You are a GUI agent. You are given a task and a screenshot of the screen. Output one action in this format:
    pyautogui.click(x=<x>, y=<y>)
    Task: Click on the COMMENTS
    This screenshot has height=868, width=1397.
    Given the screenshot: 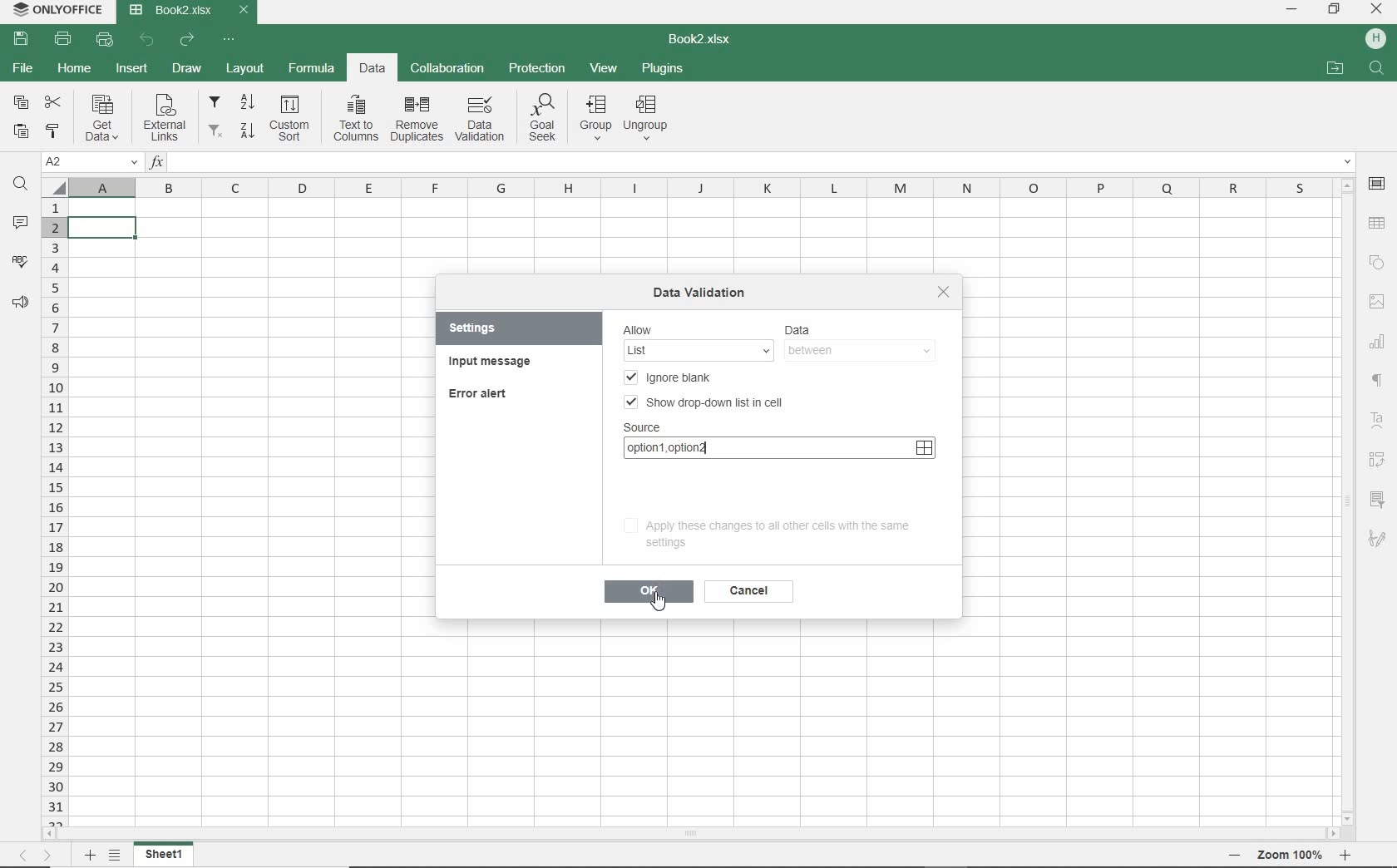 What is the action you would take?
    pyautogui.click(x=18, y=224)
    